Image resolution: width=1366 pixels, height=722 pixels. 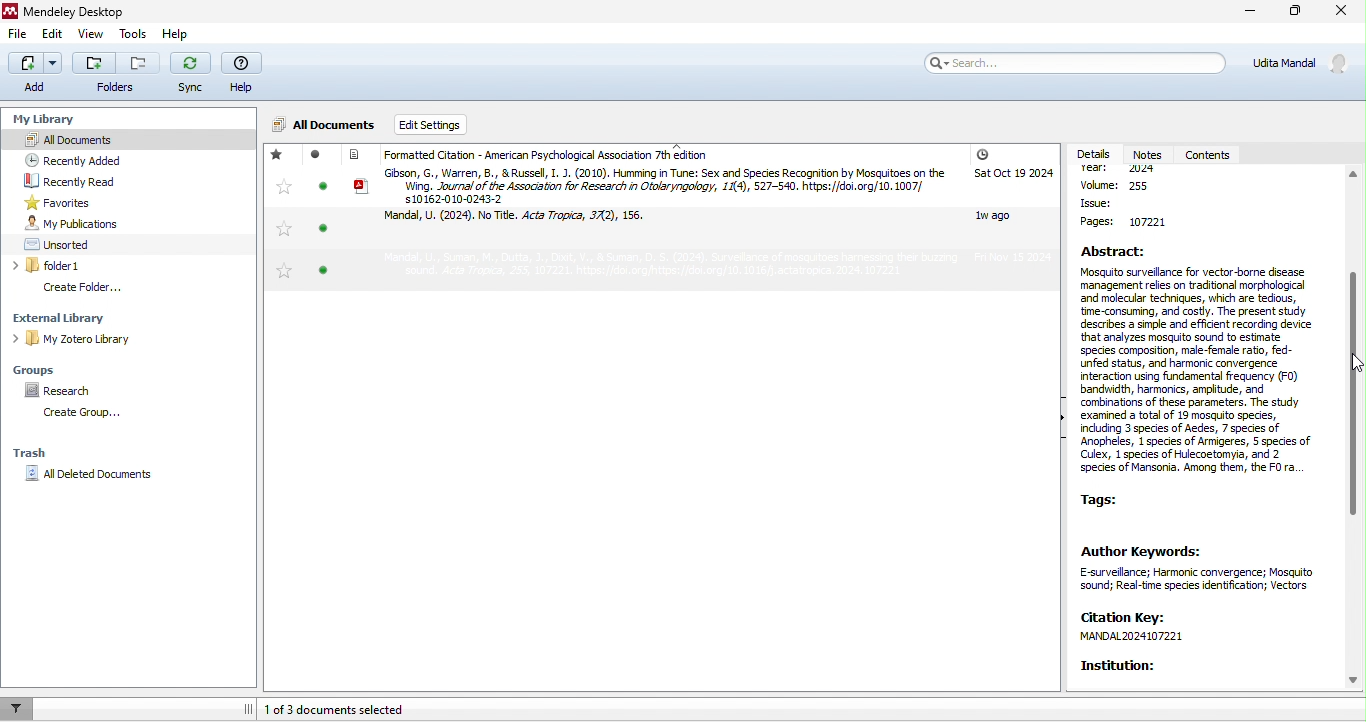 I want to click on citation key, so click(x=1153, y=628).